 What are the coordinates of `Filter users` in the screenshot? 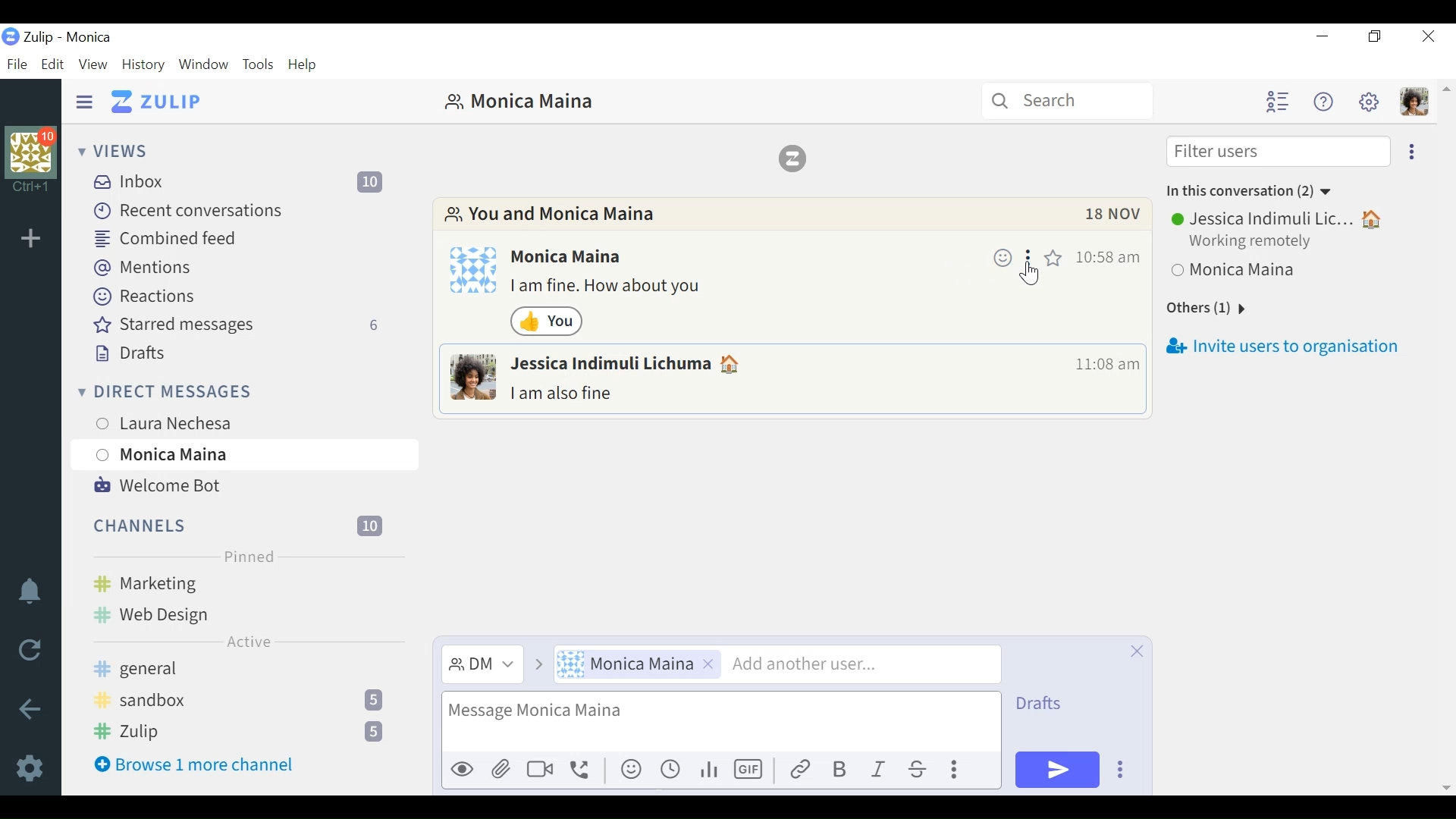 It's located at (1278, 152).